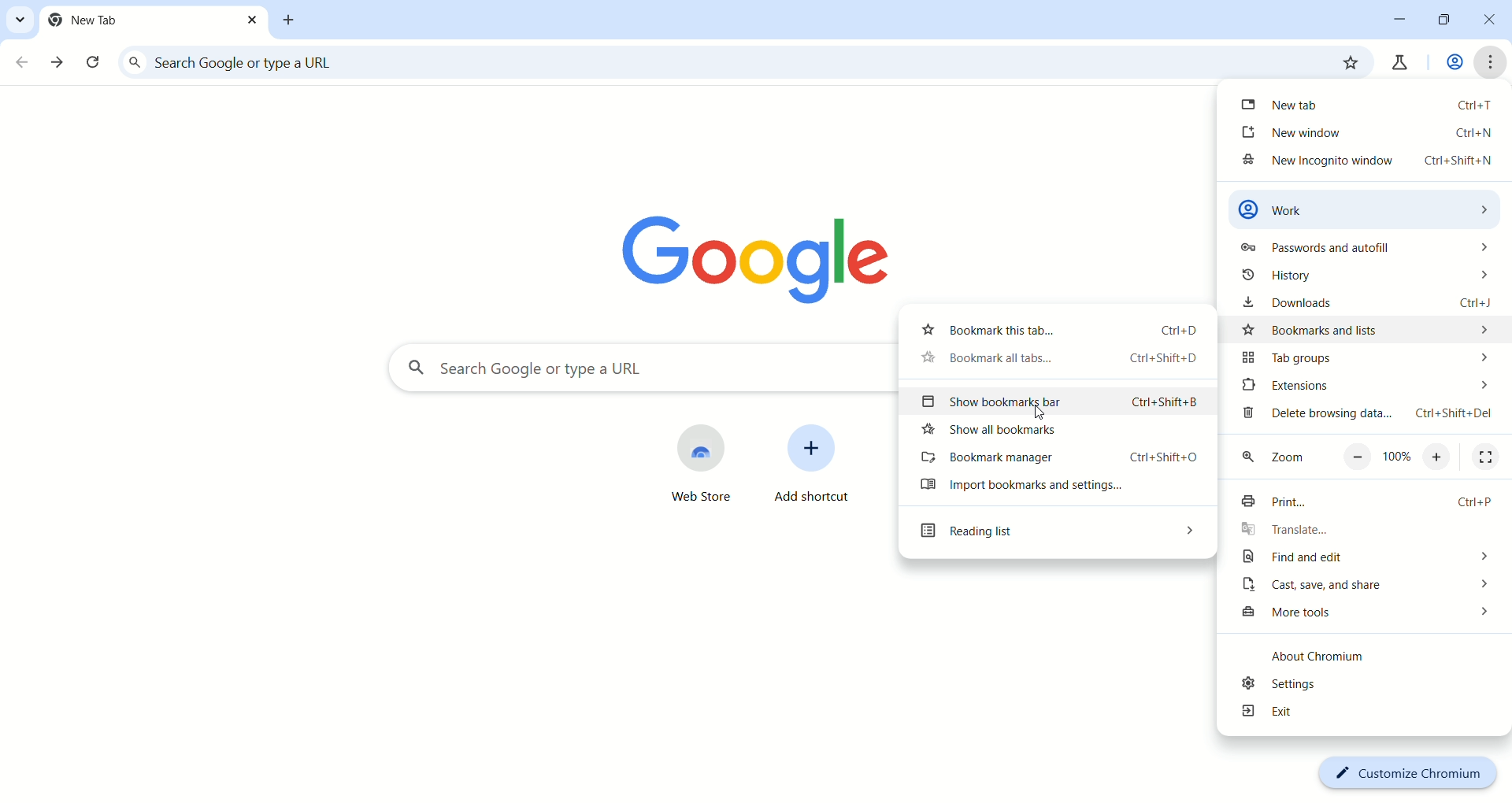 The image size is (1512, 803). I want to click on go back, so click(23, 63).